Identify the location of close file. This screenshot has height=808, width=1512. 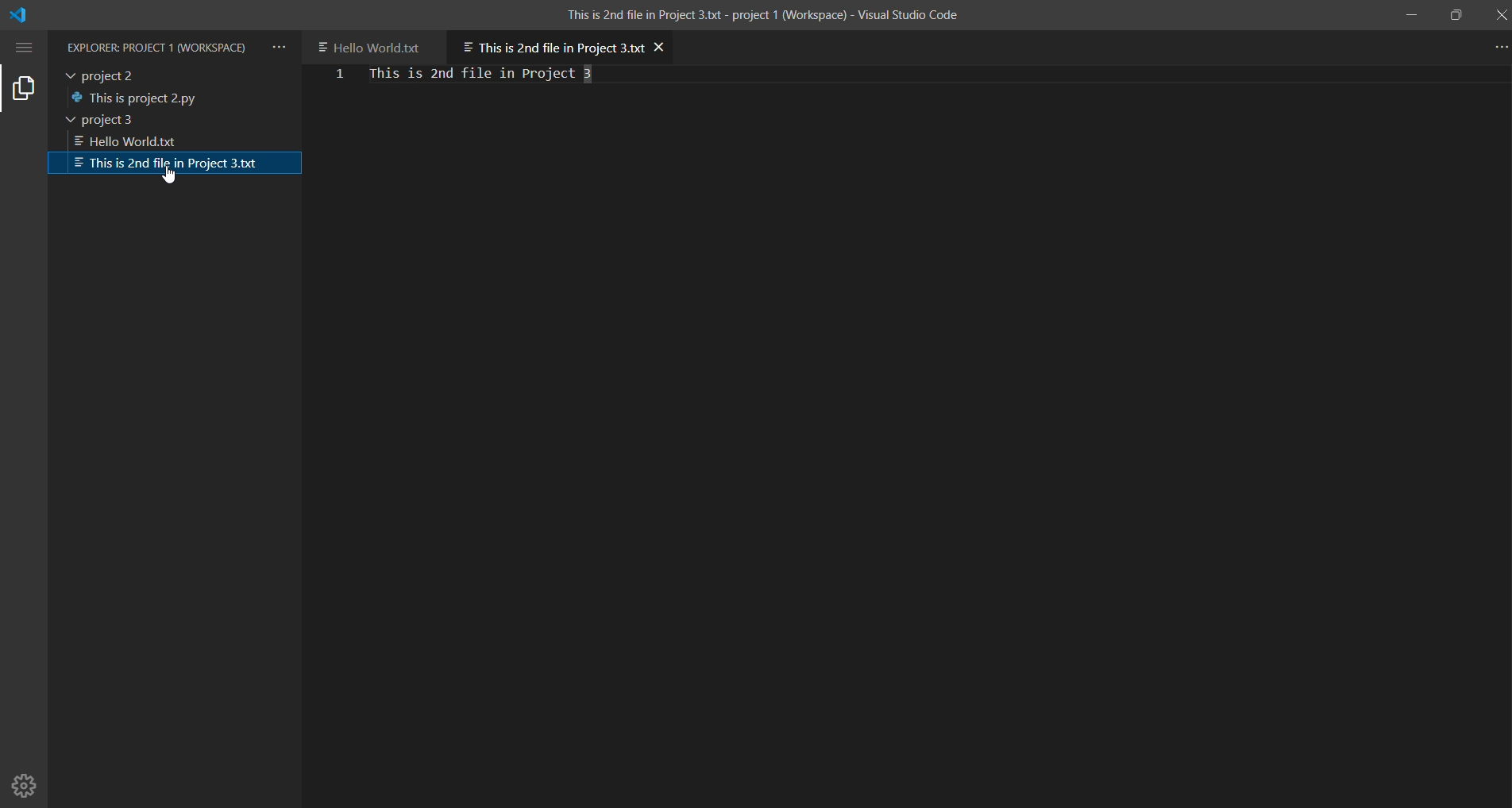
(661, 46).